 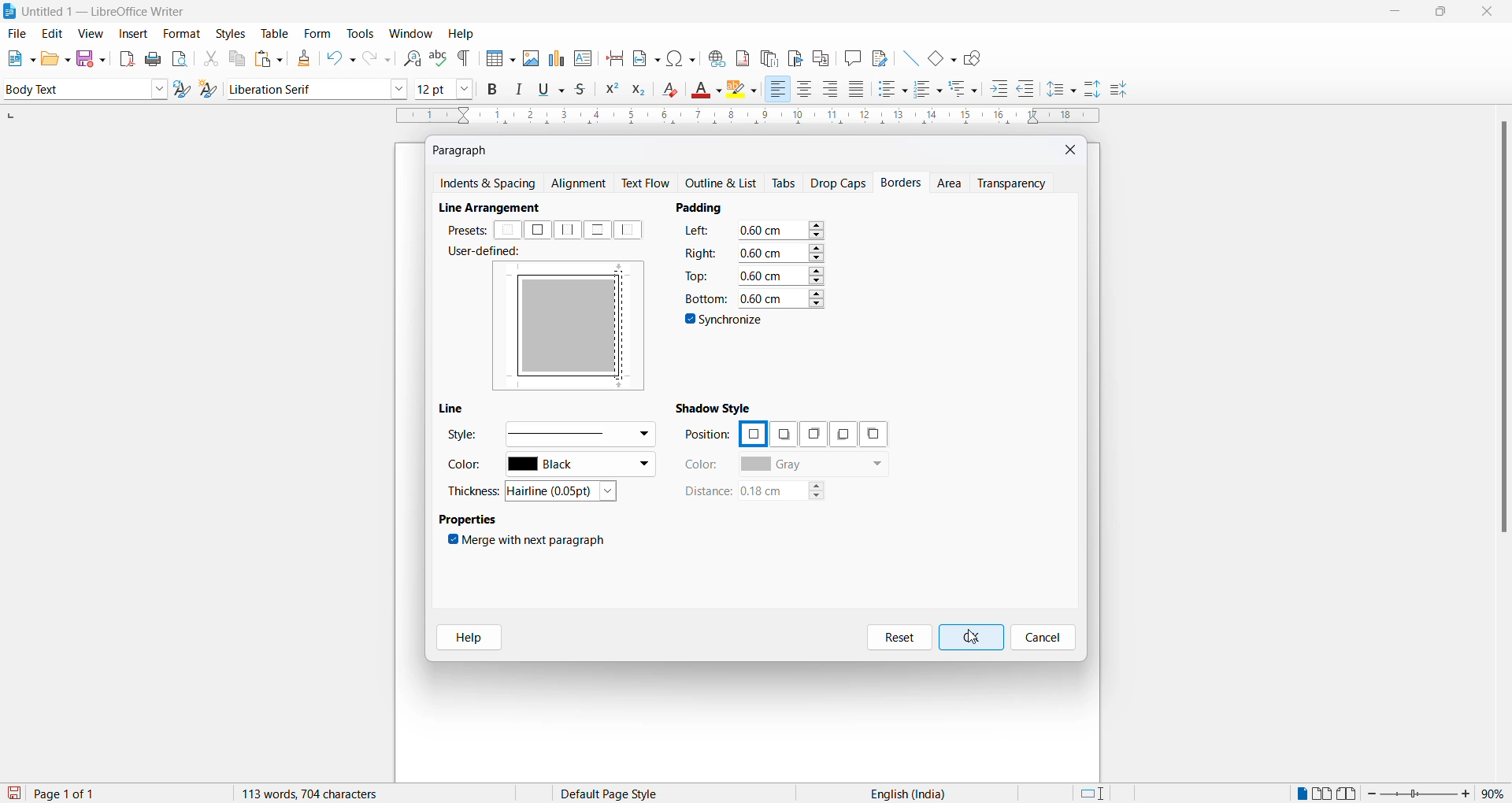 What do you see at coordinates (159, 90) in the screenshot?
I see `styling dropdown button` at bounding box center [159, 90].